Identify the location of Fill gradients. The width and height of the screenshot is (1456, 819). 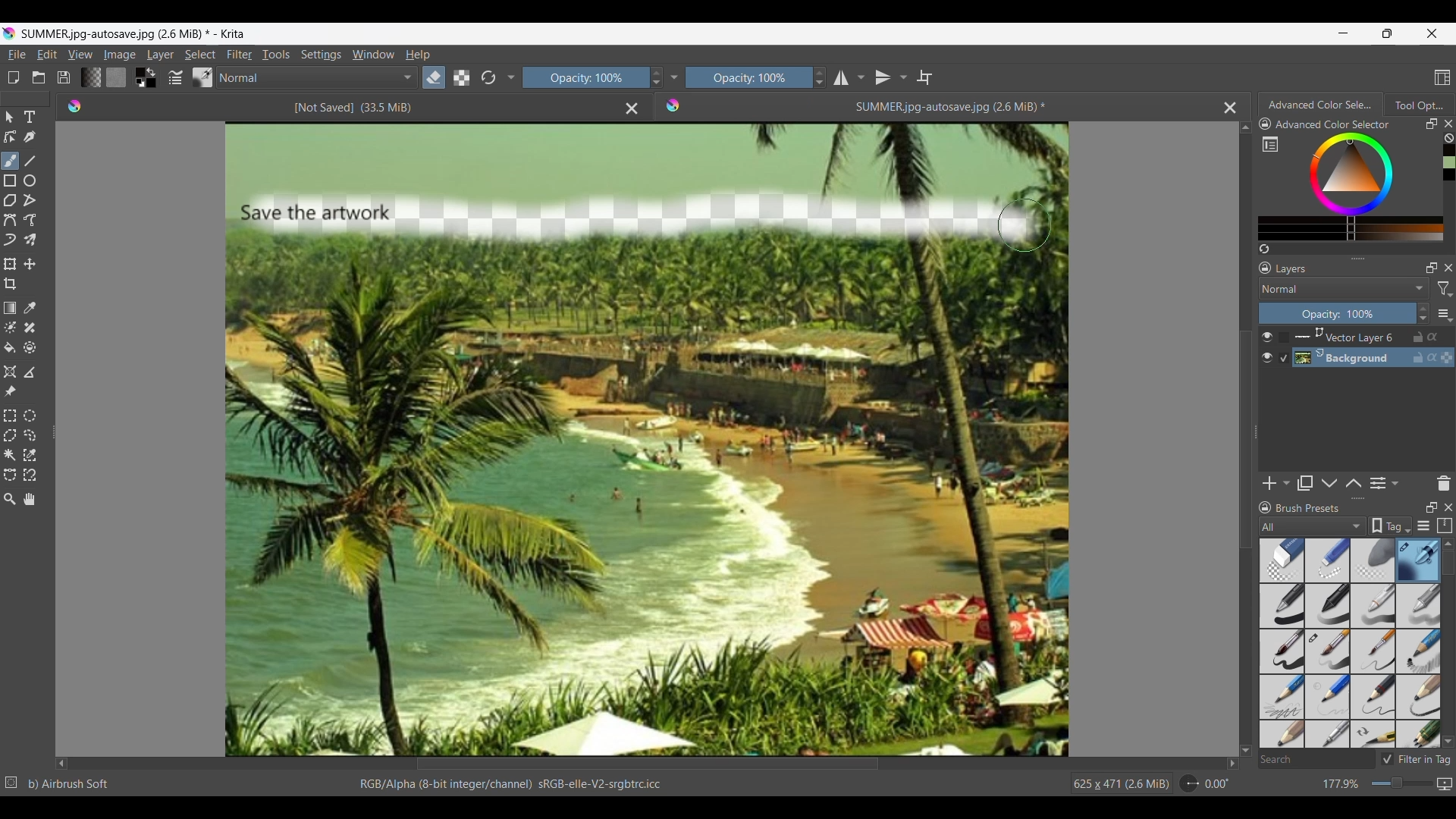
(91, 77).